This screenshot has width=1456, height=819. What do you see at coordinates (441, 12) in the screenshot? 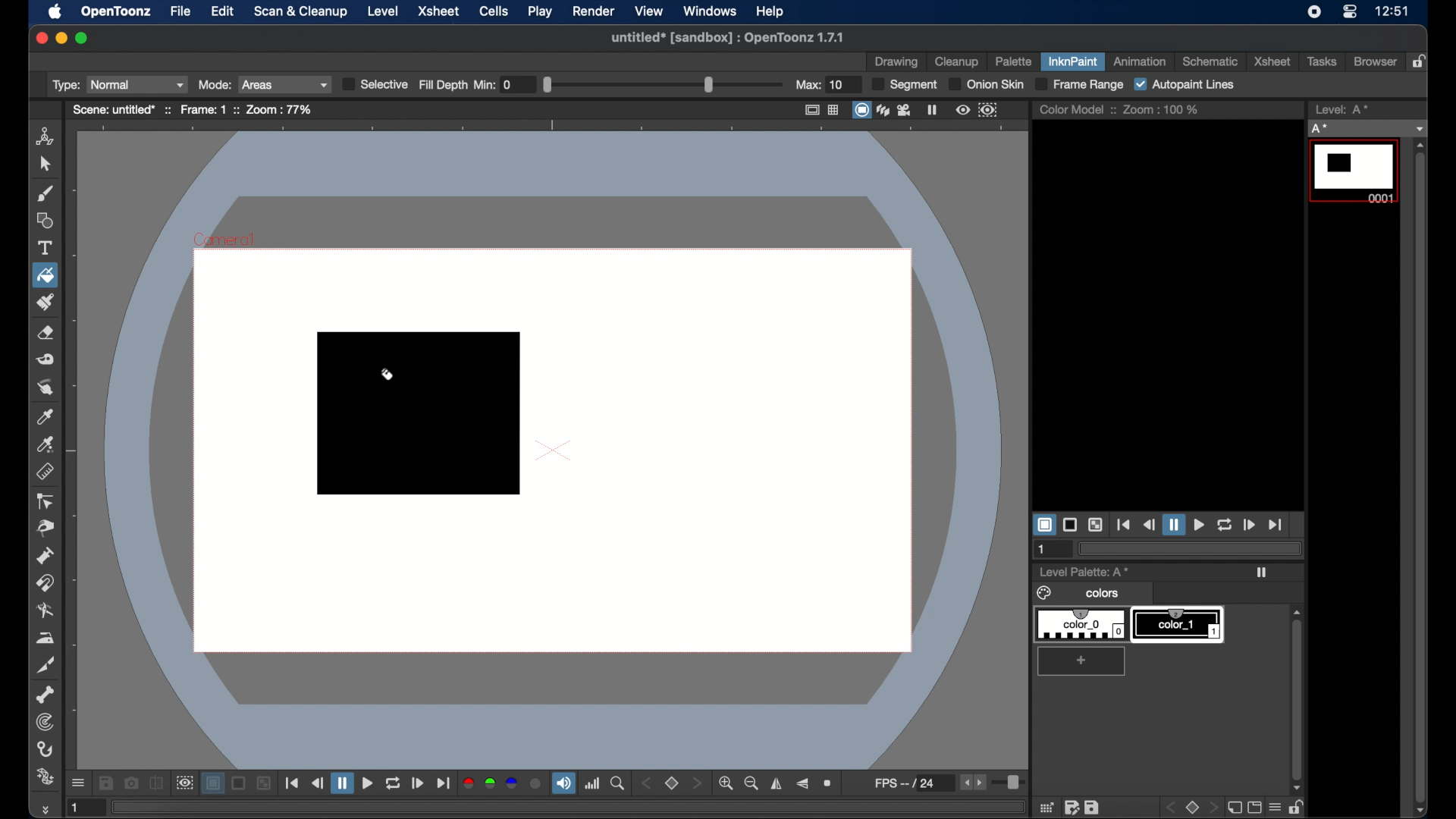
I see `xsheet` at bounding box center [441, 12].